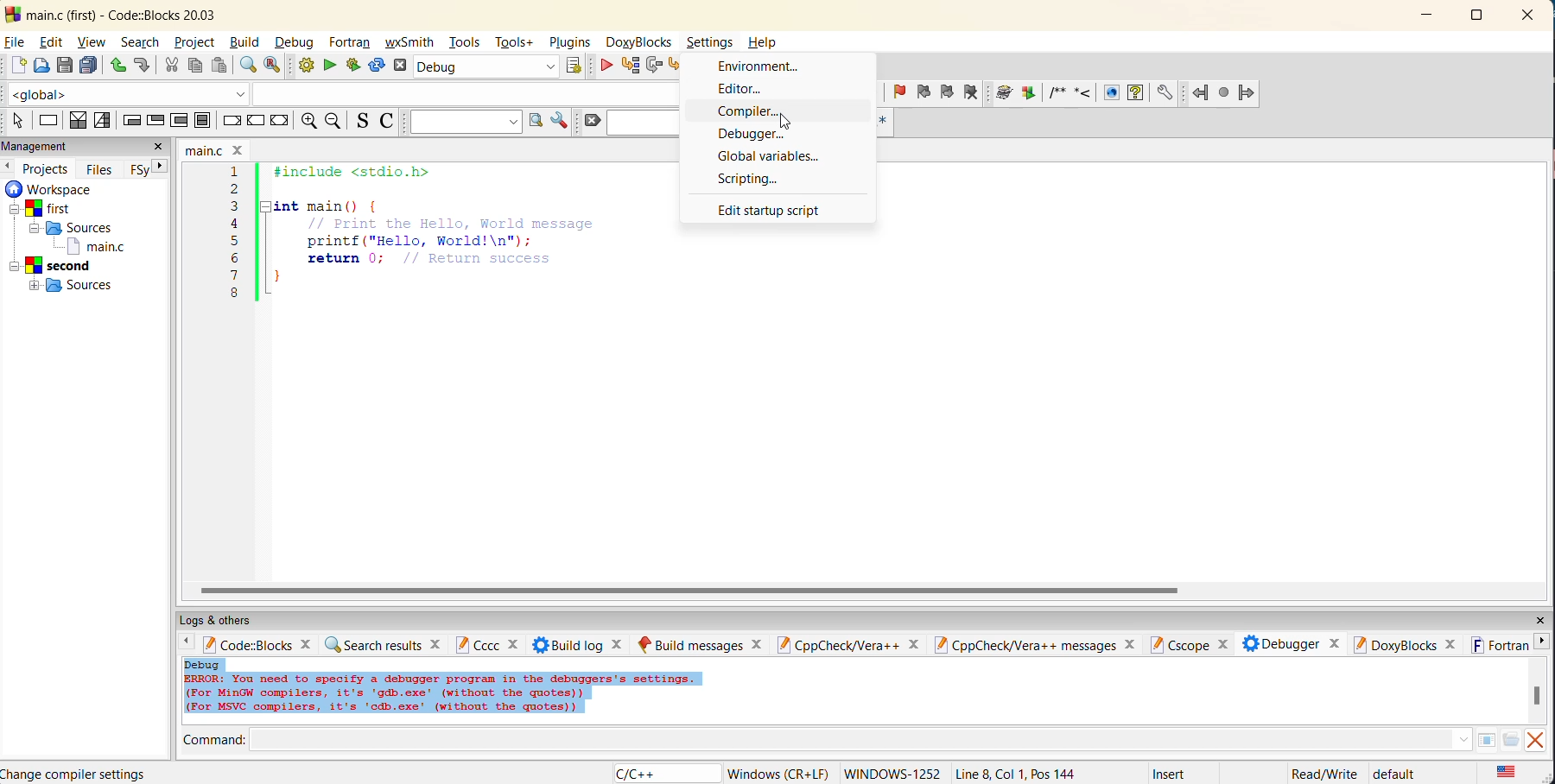  Describe the element at coordinates (333, 121) in the screenshot. I see `zoom out` at that location.